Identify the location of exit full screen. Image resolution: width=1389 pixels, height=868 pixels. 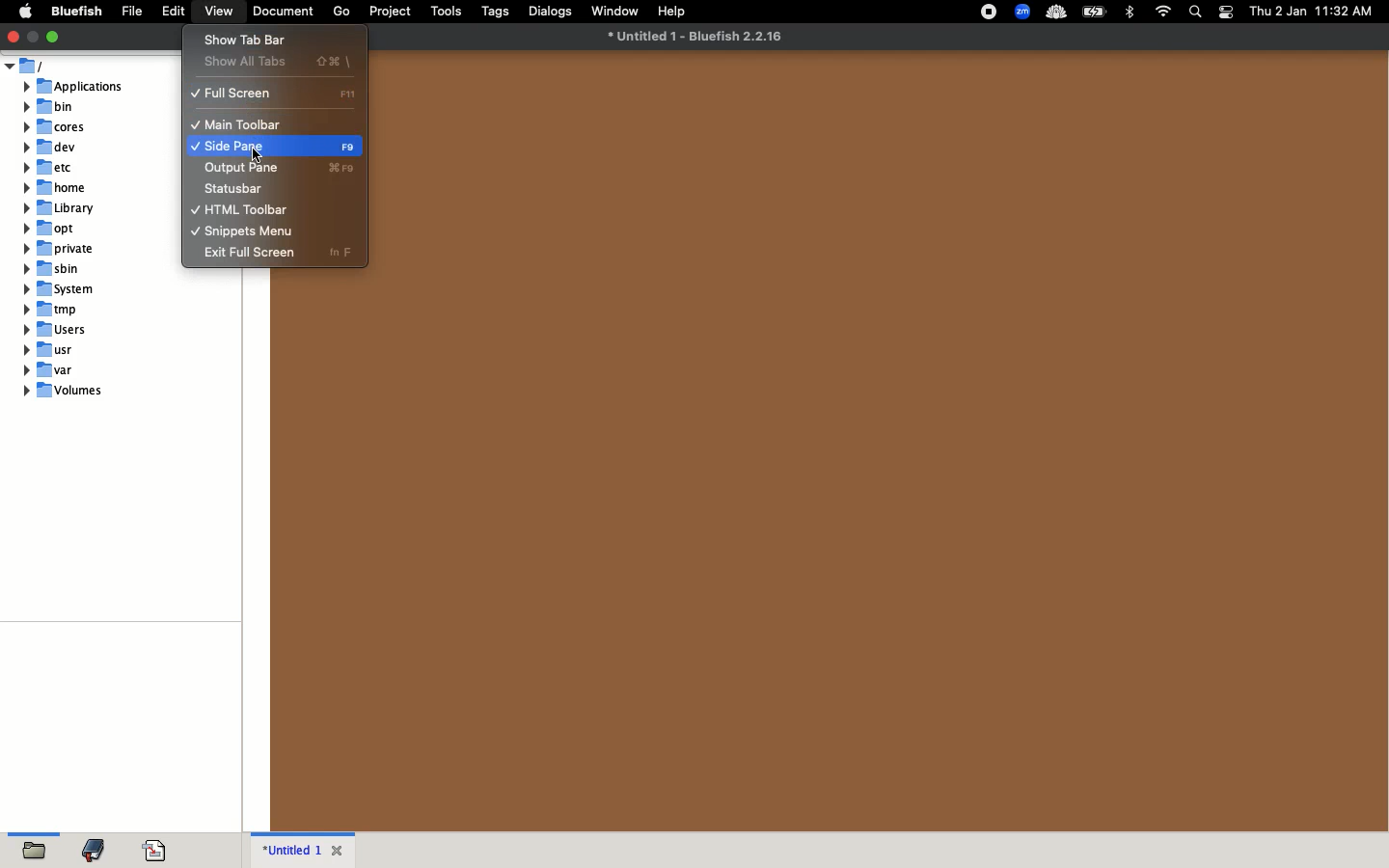
(279, 253).